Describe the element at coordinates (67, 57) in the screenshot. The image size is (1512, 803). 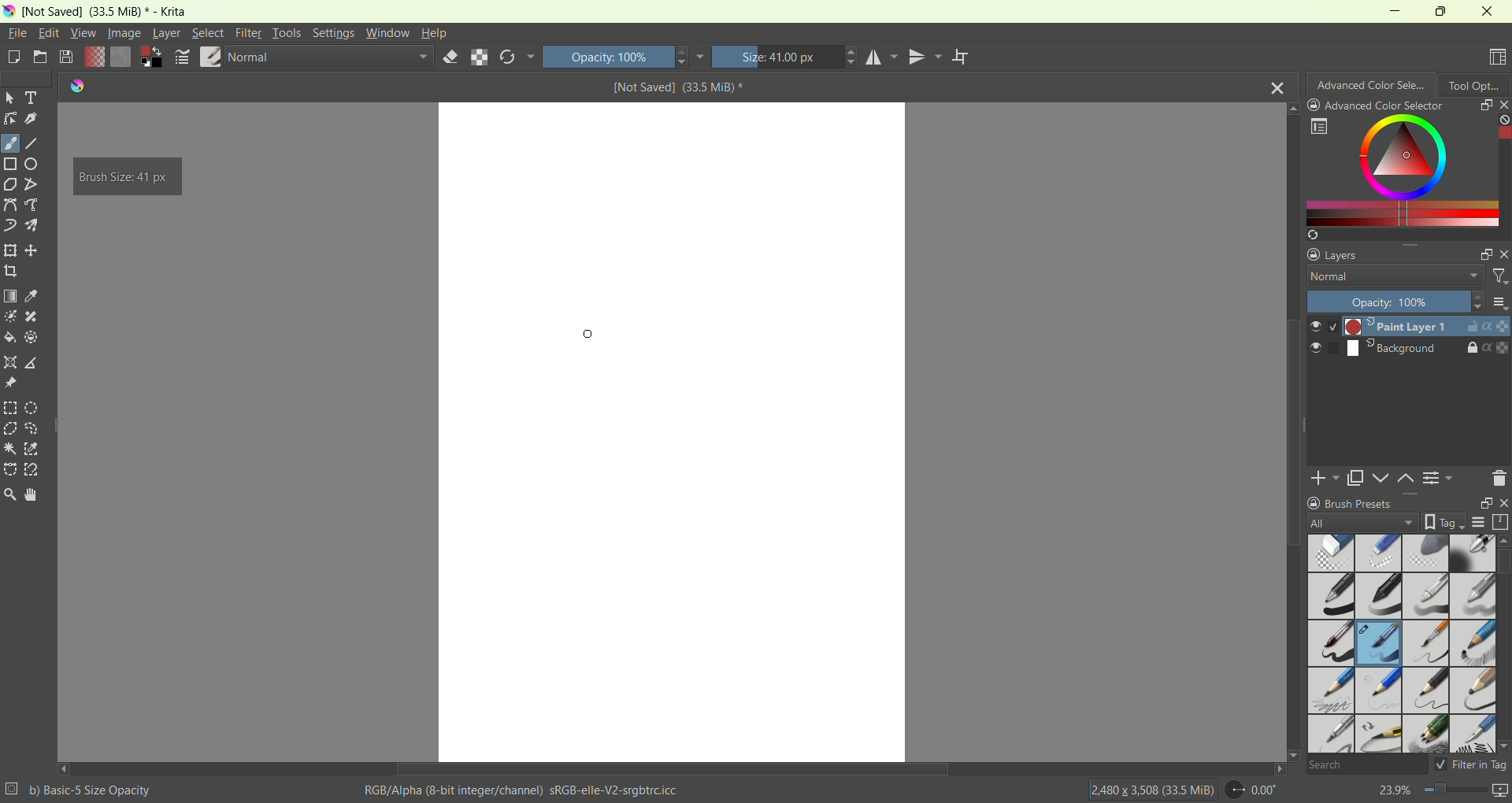
I see `save` at that location.